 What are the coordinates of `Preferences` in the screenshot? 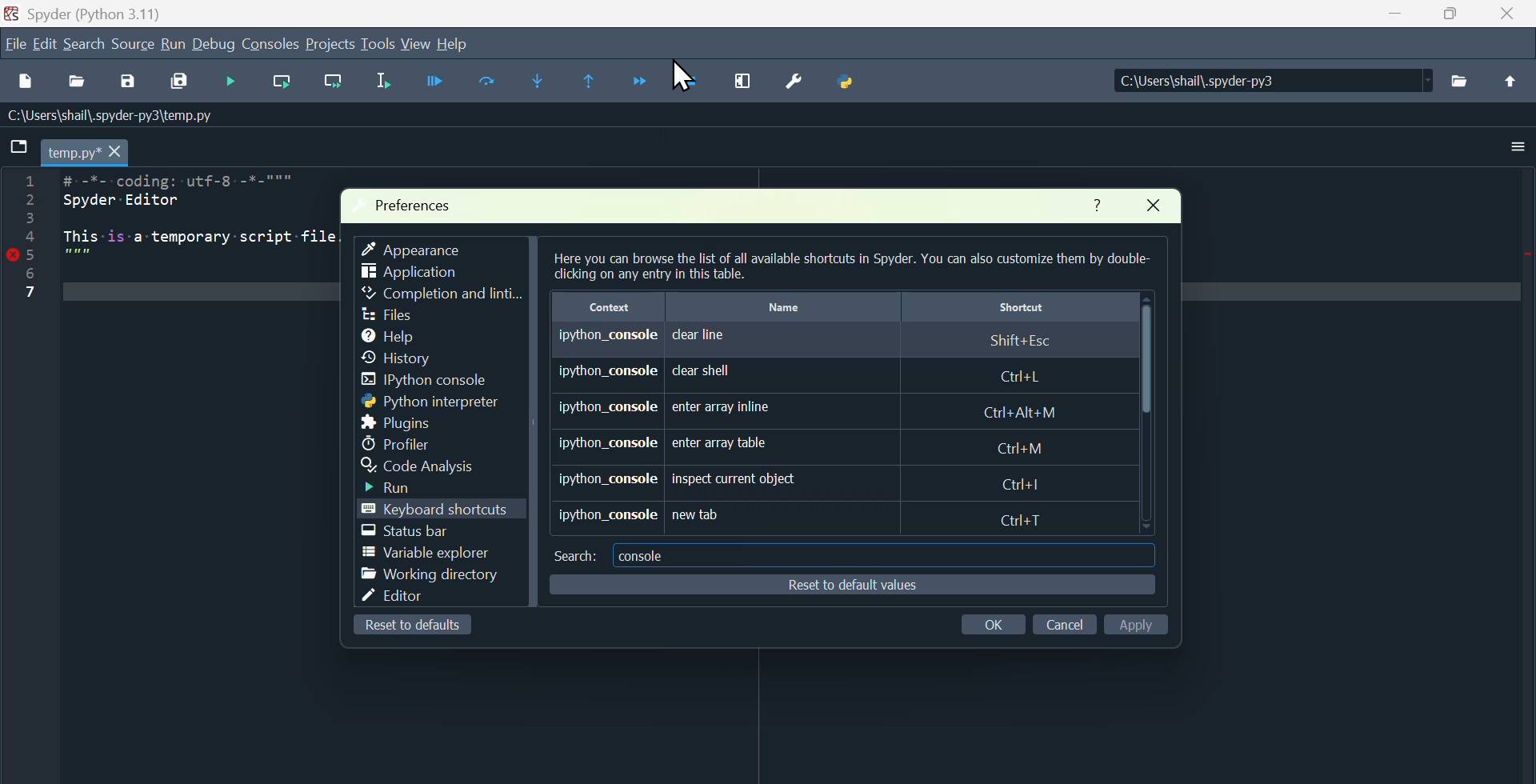 It's located at (420, 200).